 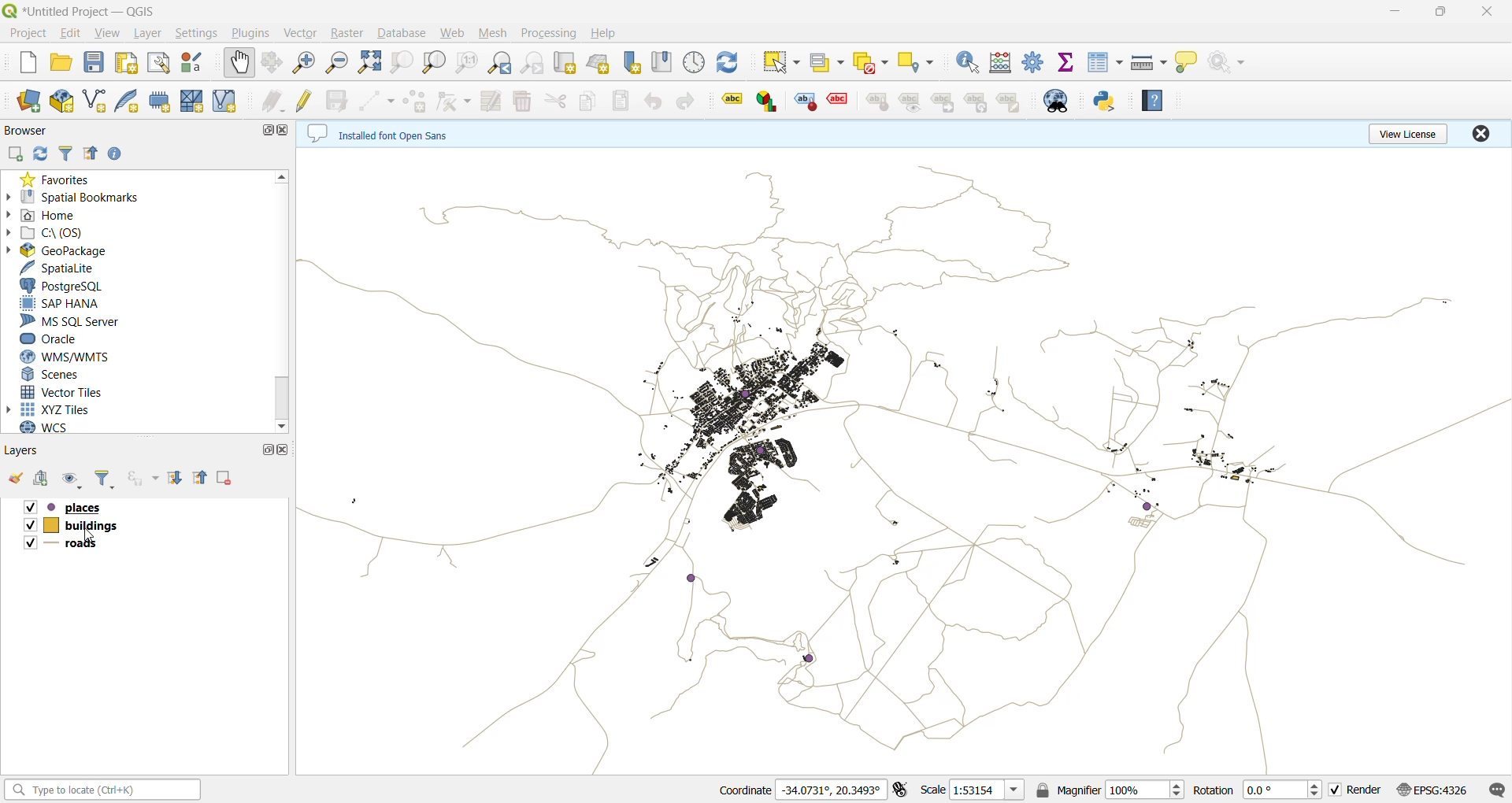 I want to click on vertex tool, so click(x=457, y=101).